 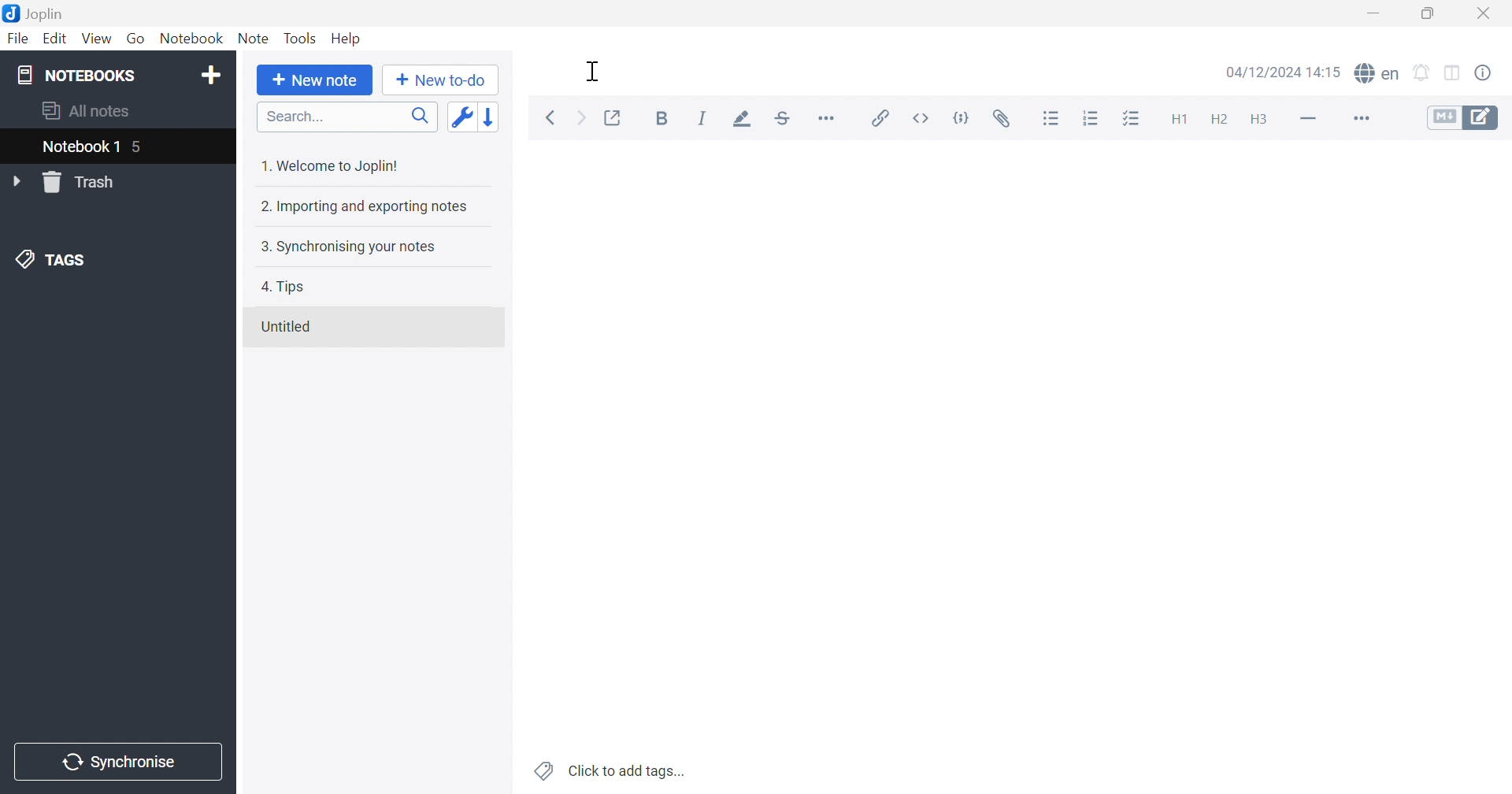 What do you see at coordinates (1427, 13) in the screenshot?
I see `Restore down` at bounding box center [1427, 13].